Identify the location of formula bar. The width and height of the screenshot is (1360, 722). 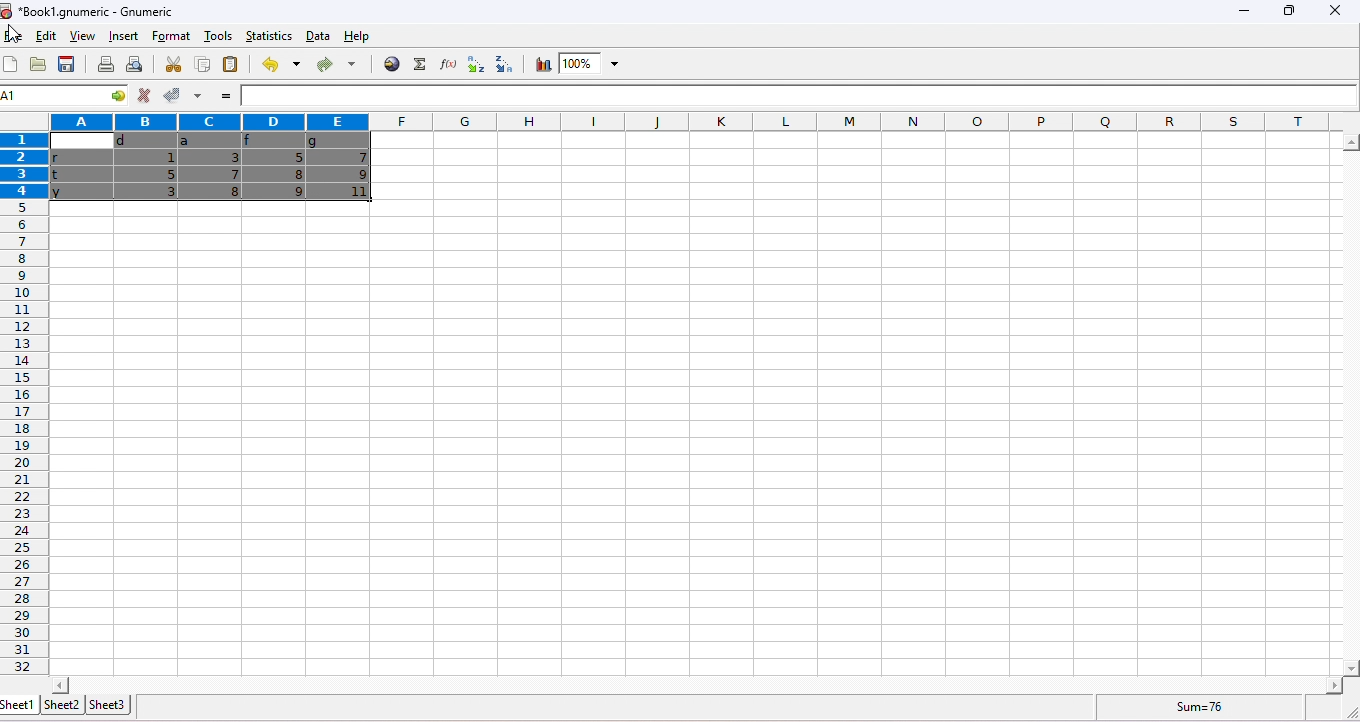
(800, 96).